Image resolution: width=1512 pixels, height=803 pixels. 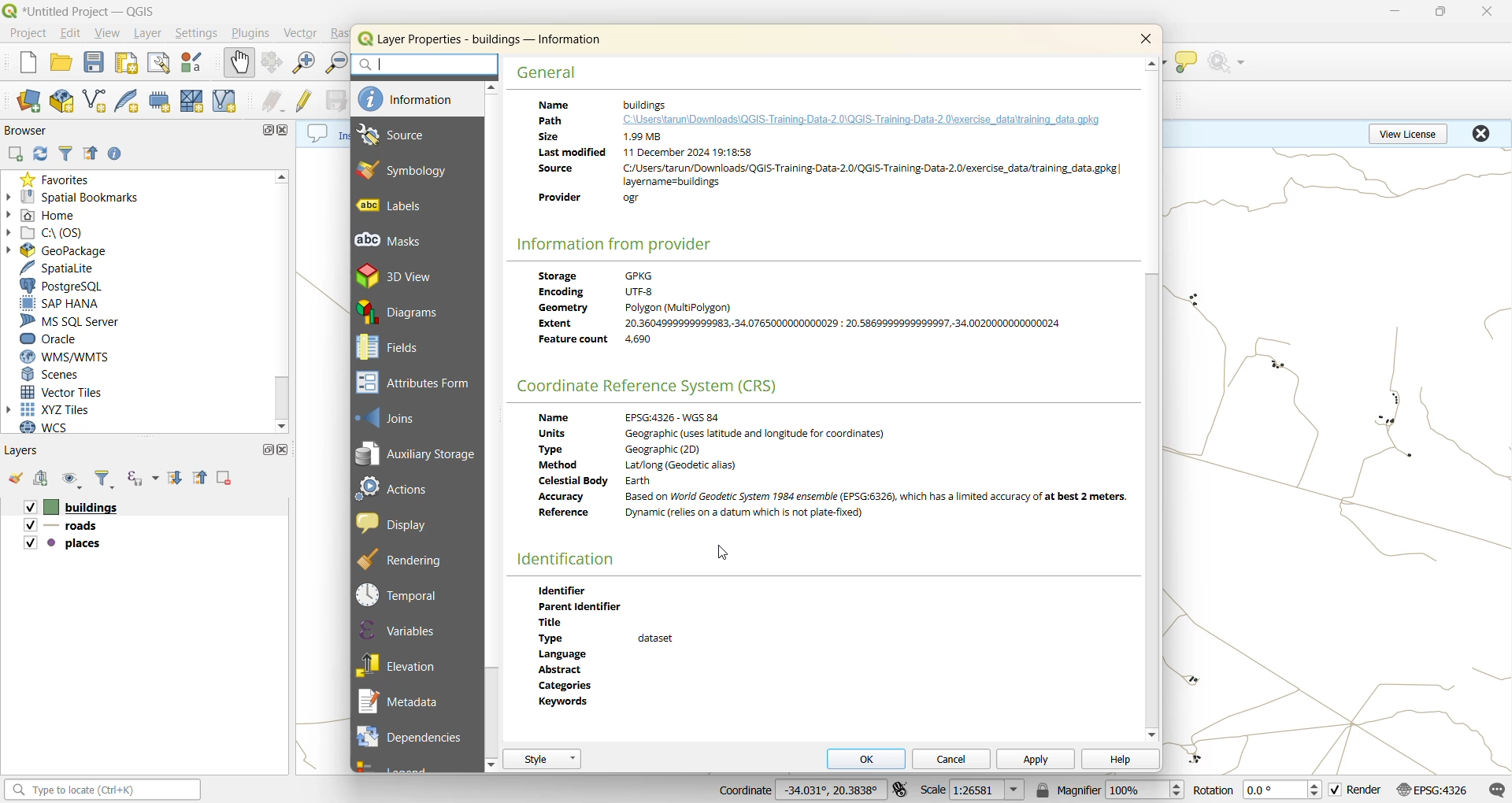 I want to click on metadata, so click(x=407, y=700).